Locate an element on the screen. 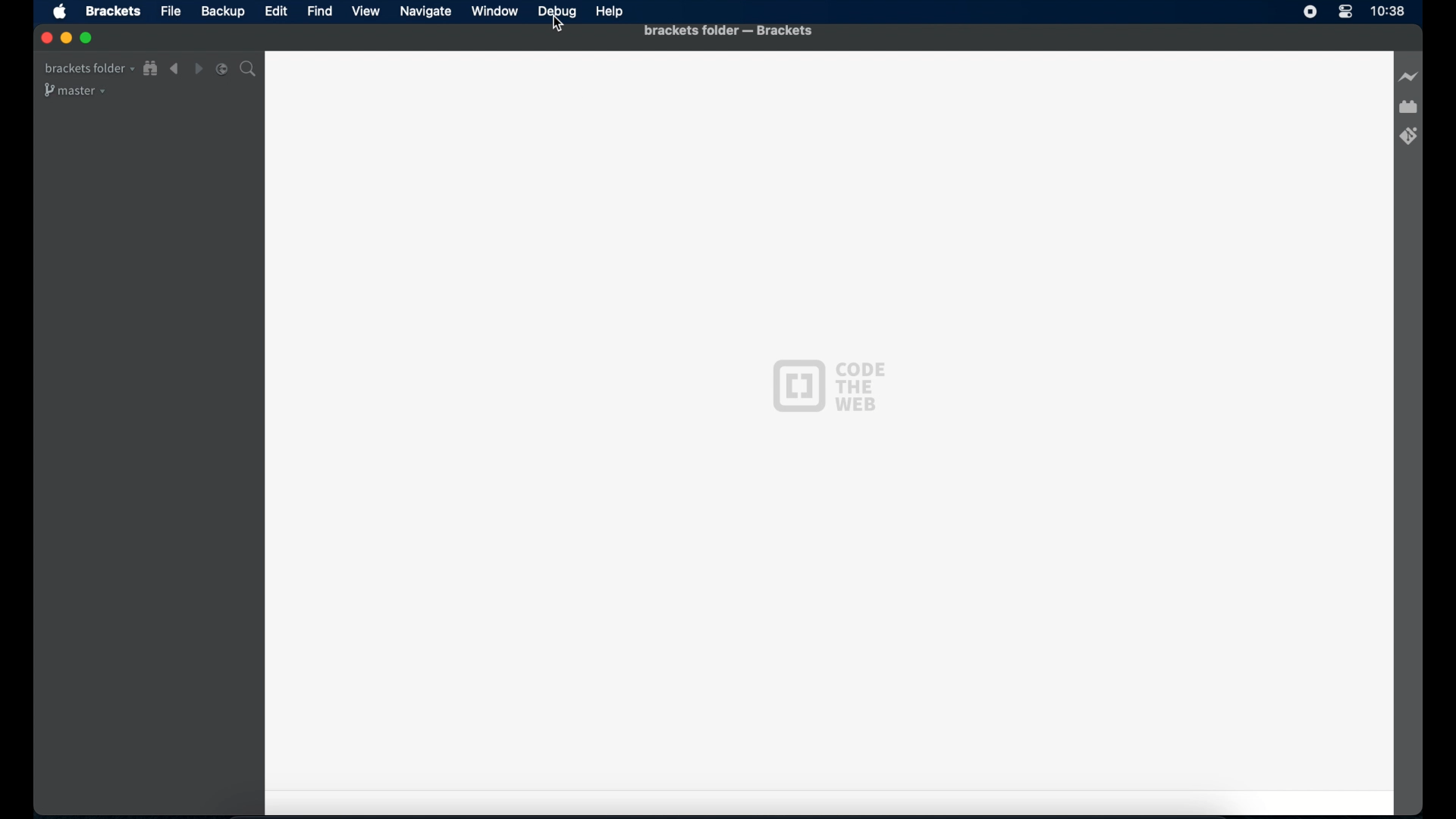  live preview is located at coordinates (1410, 77).